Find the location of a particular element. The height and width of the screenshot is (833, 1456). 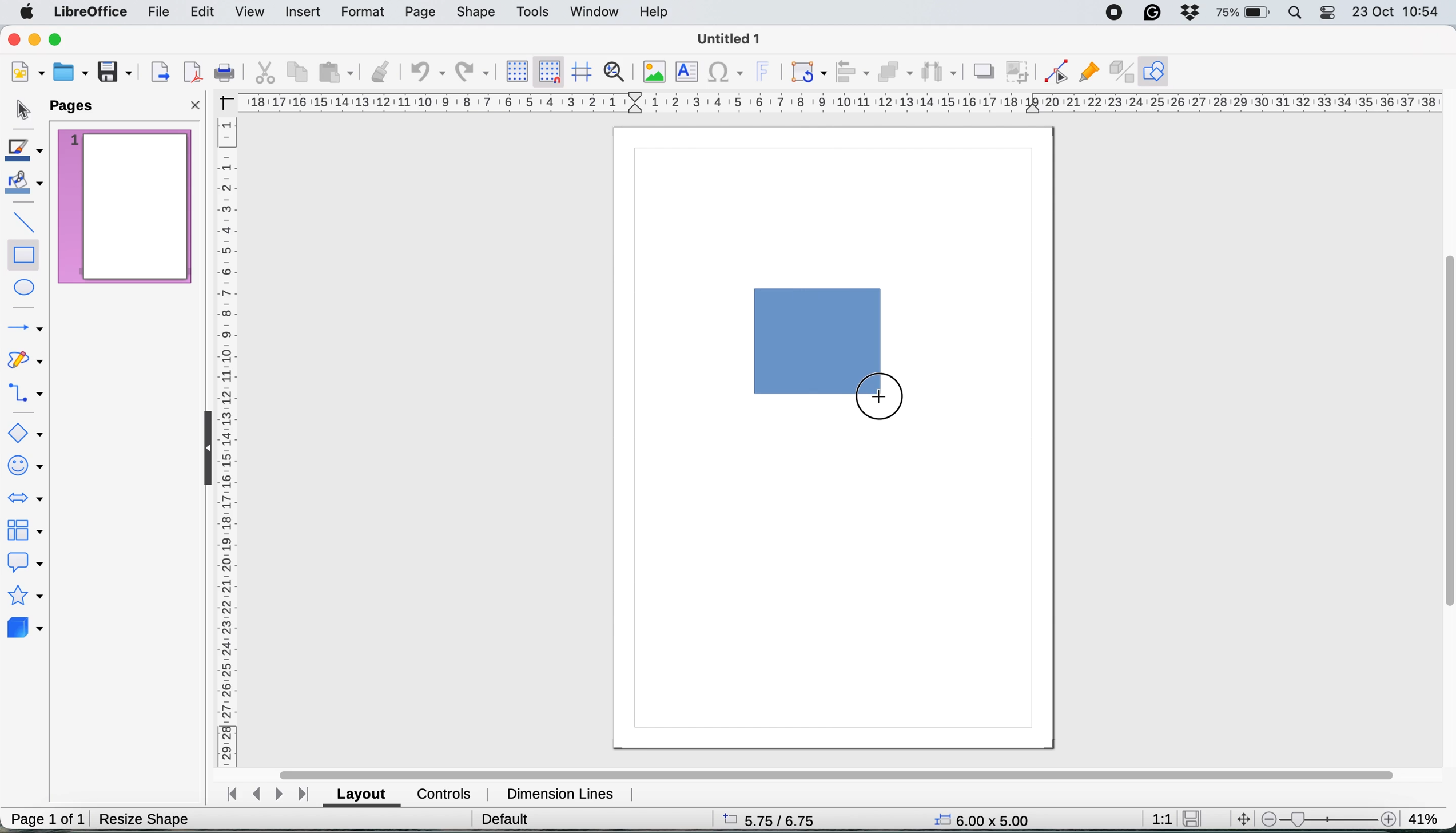

close is located at coordinates (14, 39).